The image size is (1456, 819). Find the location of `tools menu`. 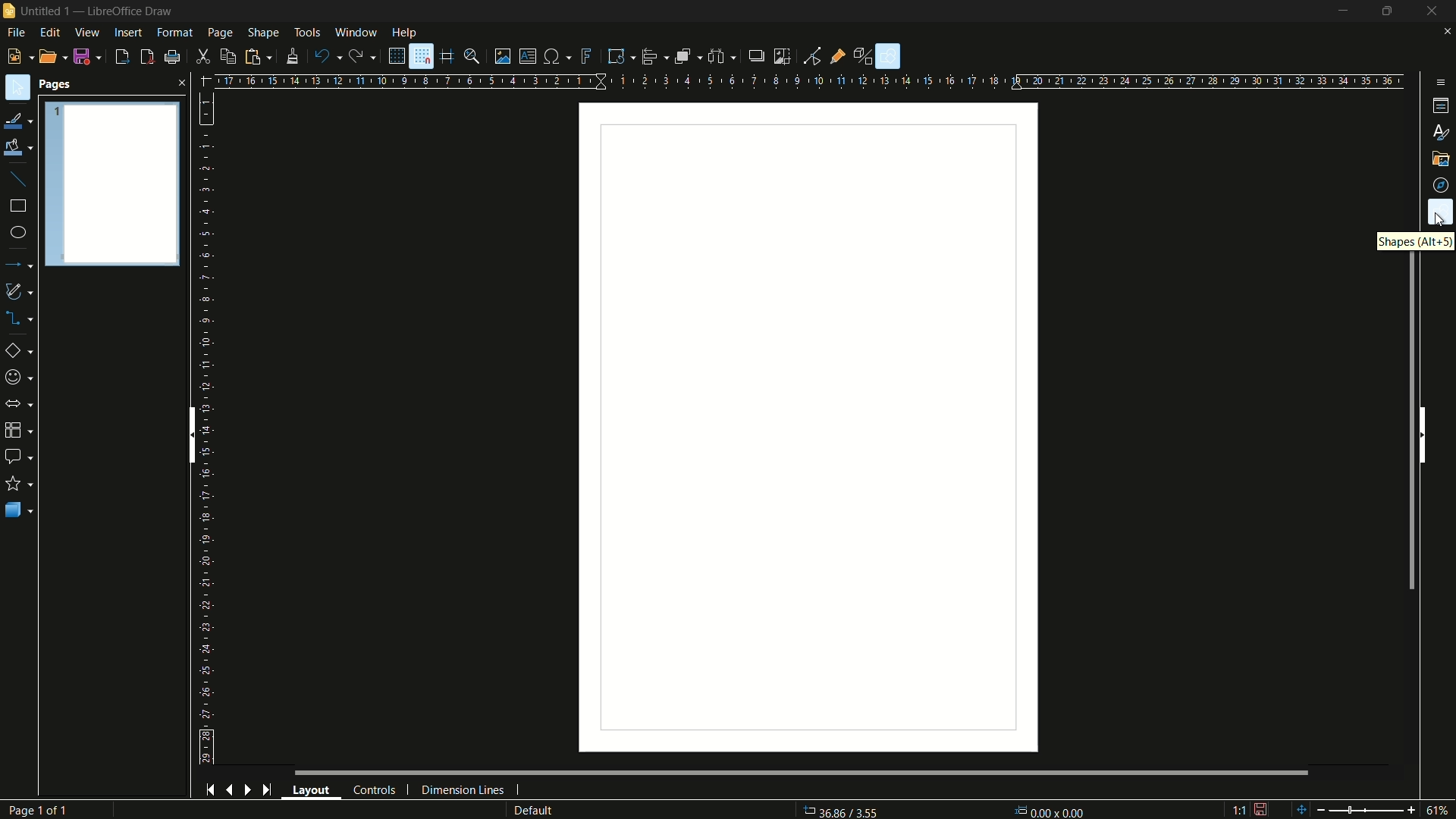

tools menu is located at coordinates (307, 33).